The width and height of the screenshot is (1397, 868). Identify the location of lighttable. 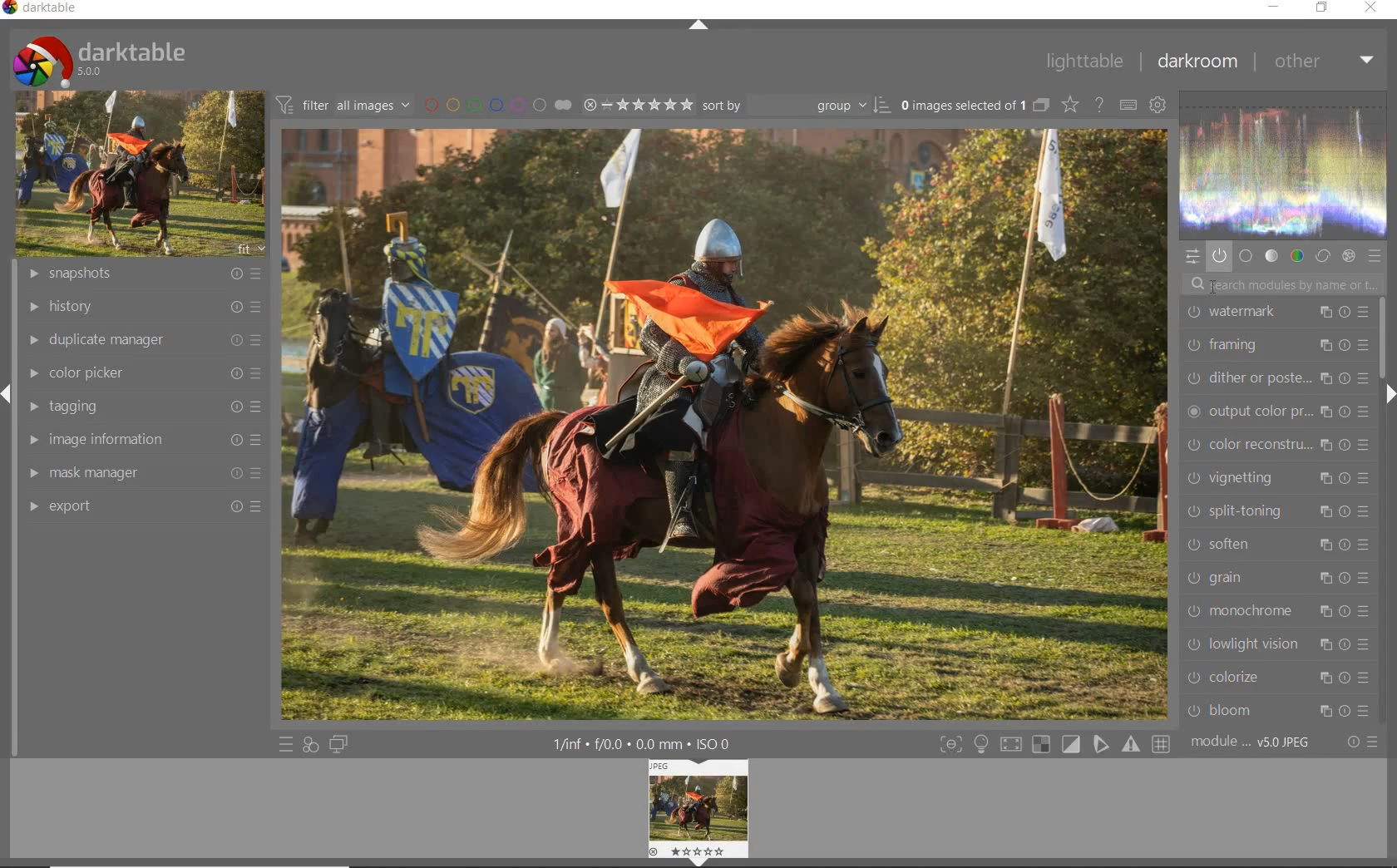
(1086, 61).